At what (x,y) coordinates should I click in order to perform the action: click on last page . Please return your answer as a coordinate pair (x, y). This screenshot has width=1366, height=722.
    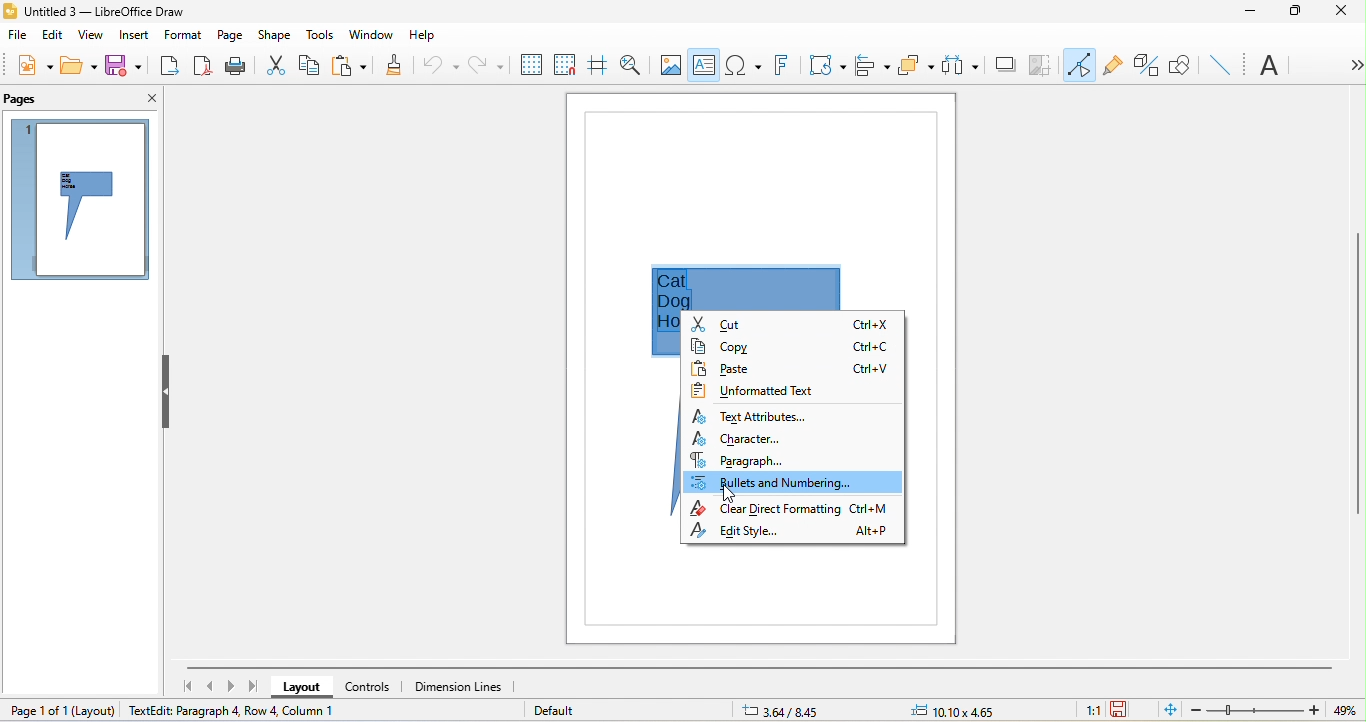
    Looking at the image, I should click on (254, 689).